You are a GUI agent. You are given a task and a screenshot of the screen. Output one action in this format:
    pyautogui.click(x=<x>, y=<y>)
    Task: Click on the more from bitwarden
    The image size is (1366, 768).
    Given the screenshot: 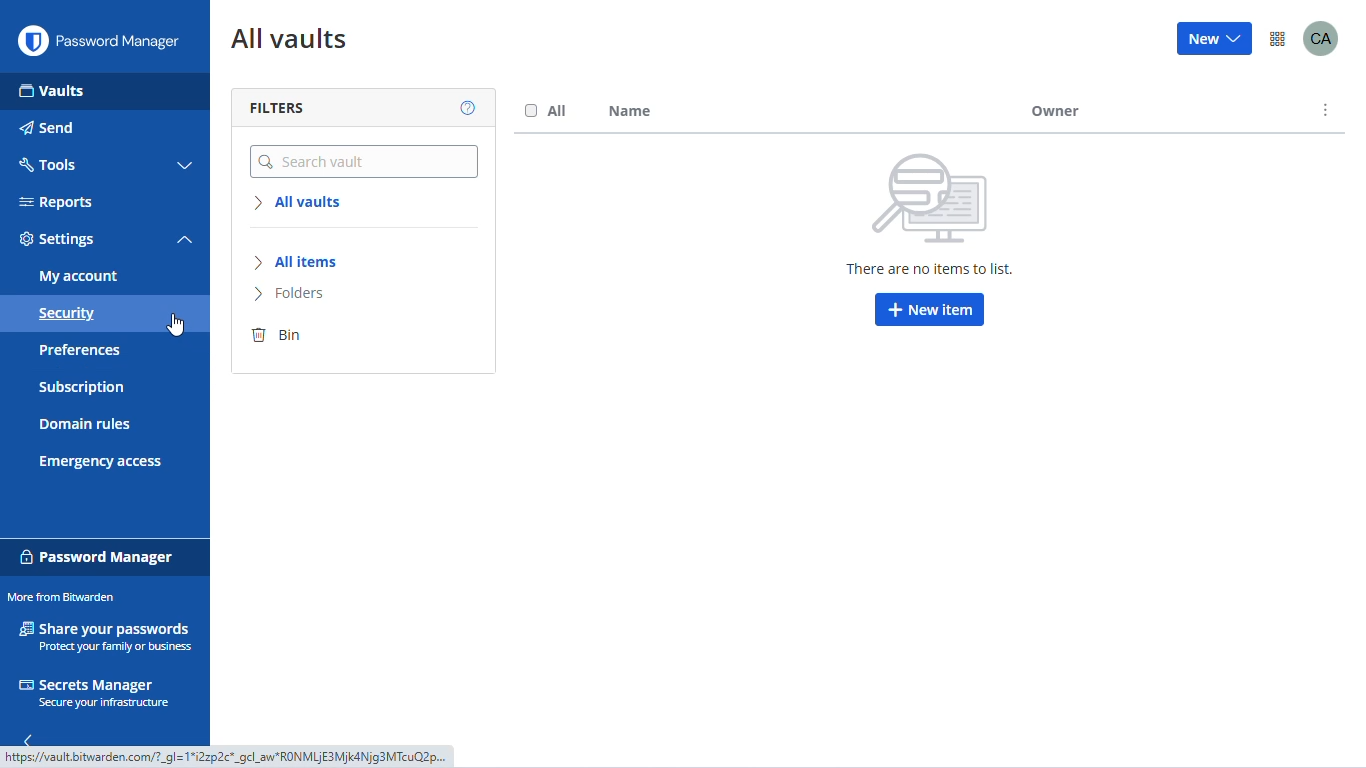 What is the action you would take?
    pyautogui.click(x=60, y=598)
    